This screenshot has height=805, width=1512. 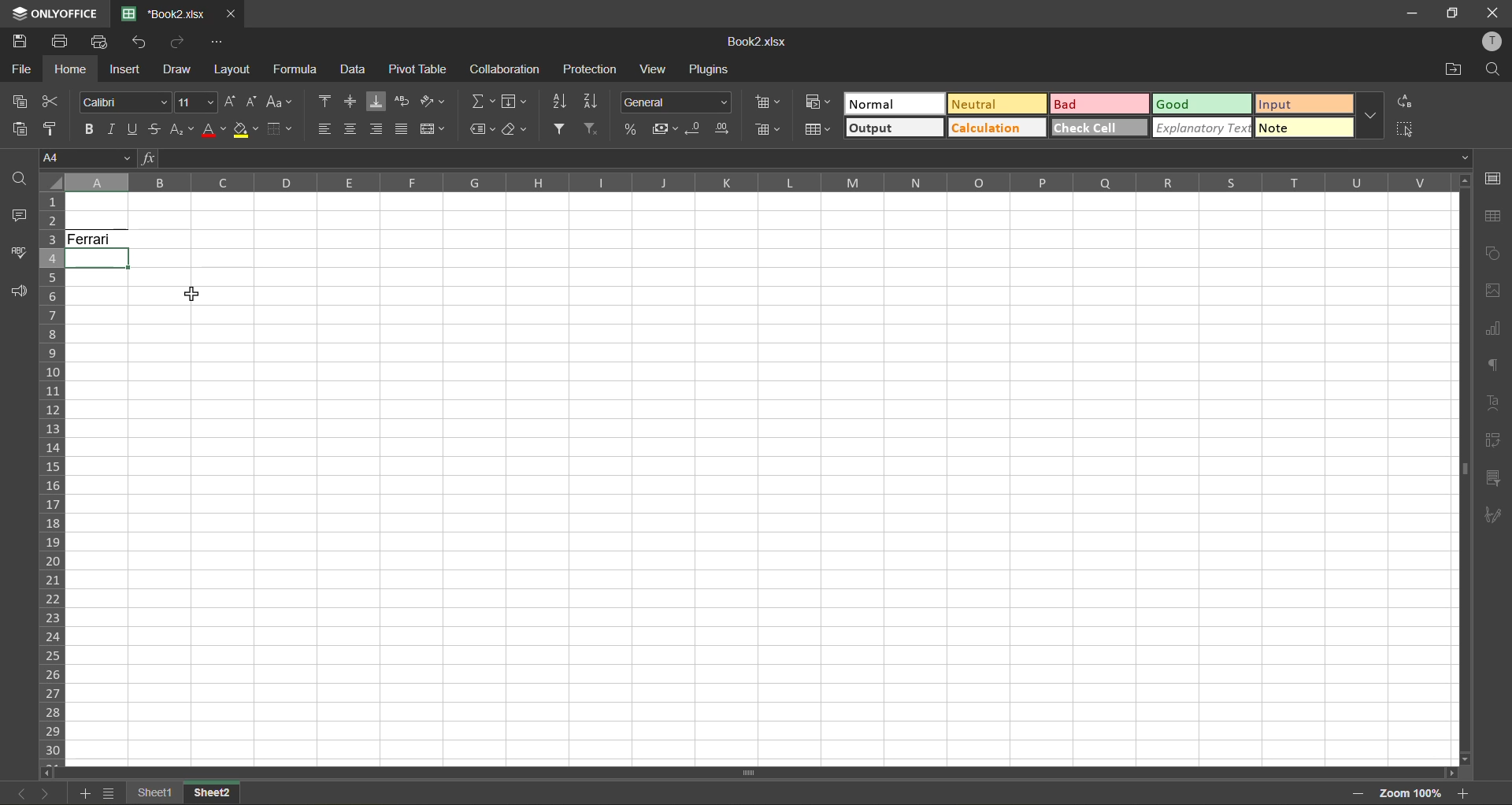 What do you see at coordinates (1202, 128) in the screenshot?
I see `explanatory text` at bounding box center [1202, 128].